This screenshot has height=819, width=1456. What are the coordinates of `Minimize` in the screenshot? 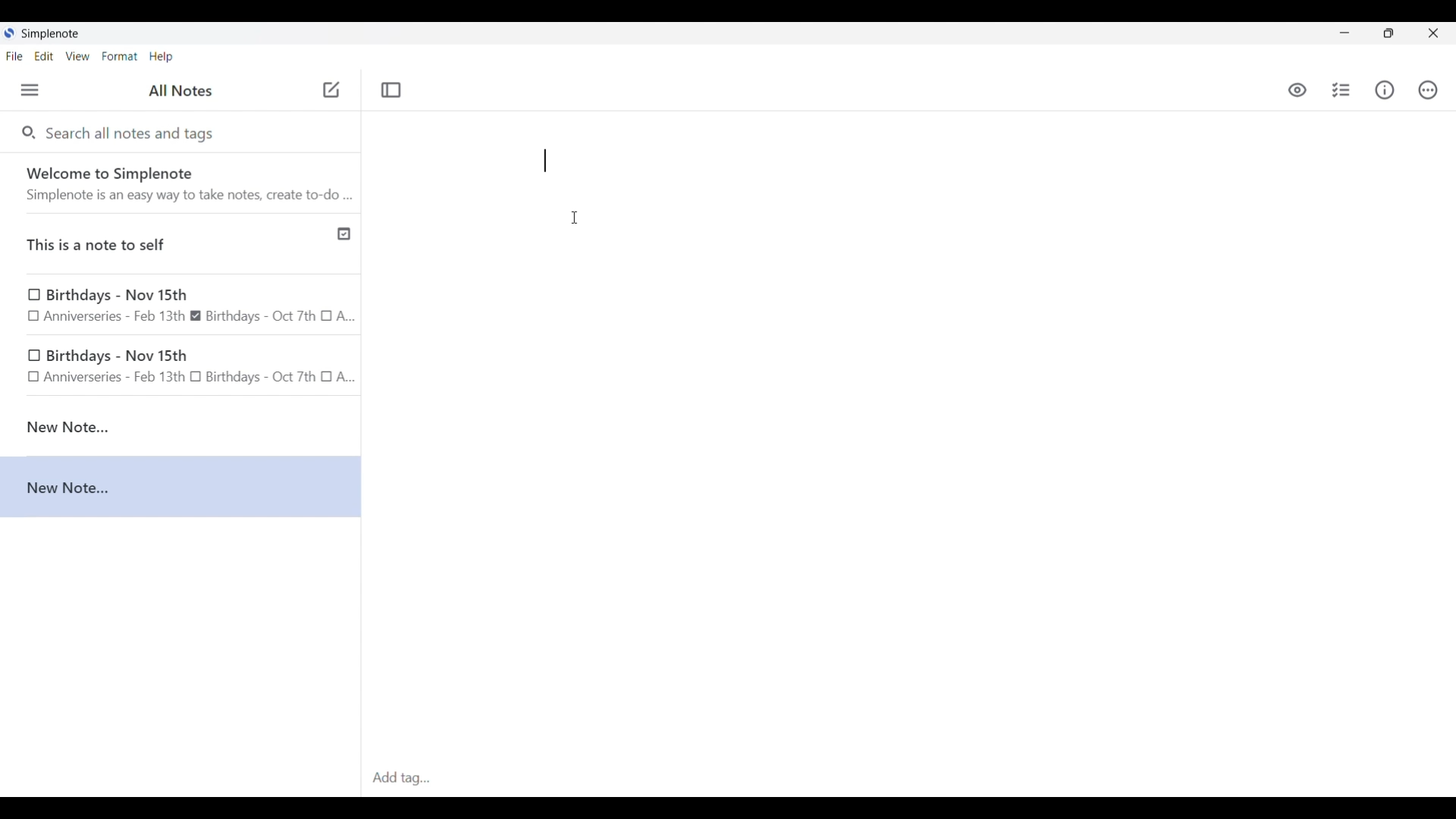 It's located at (1345, 33).